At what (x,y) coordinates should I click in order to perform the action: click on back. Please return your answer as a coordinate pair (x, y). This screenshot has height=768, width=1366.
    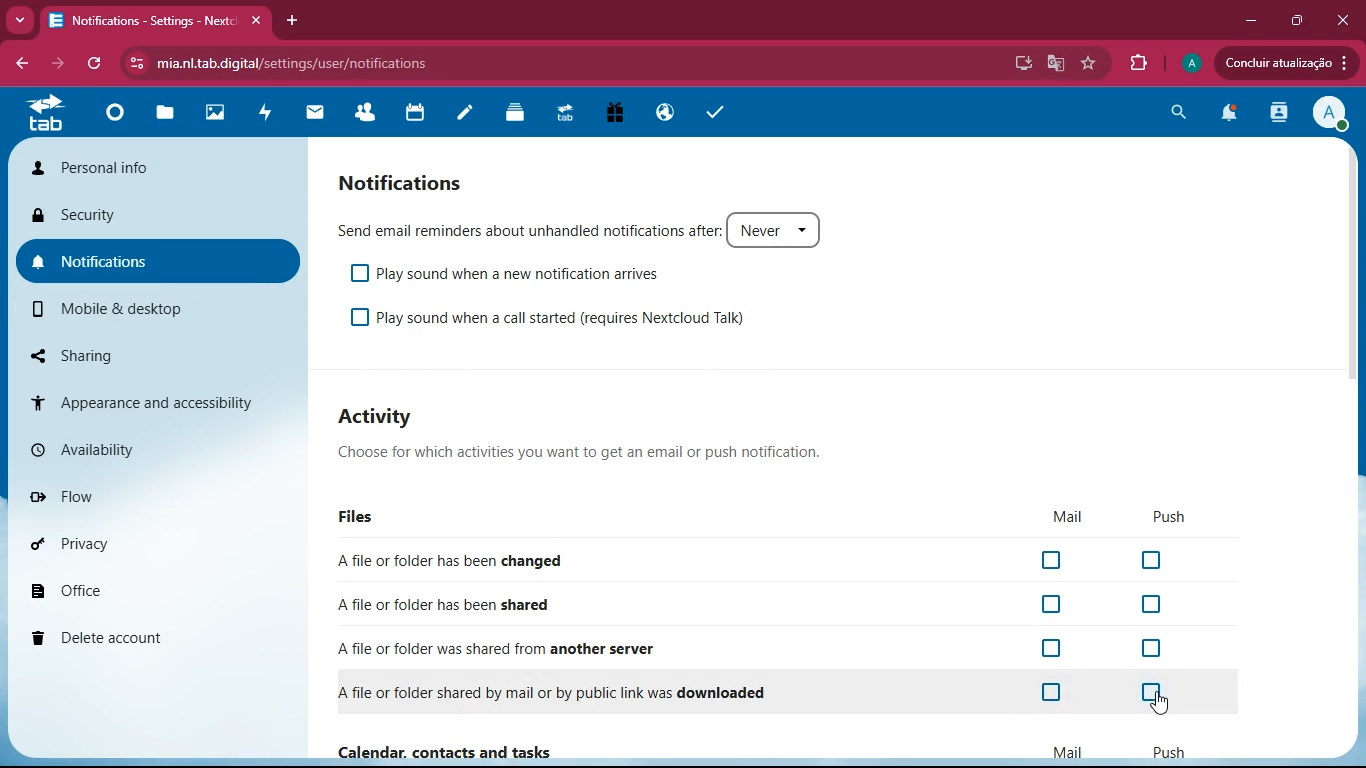
    Looking at the image, I should click on (23, 65).